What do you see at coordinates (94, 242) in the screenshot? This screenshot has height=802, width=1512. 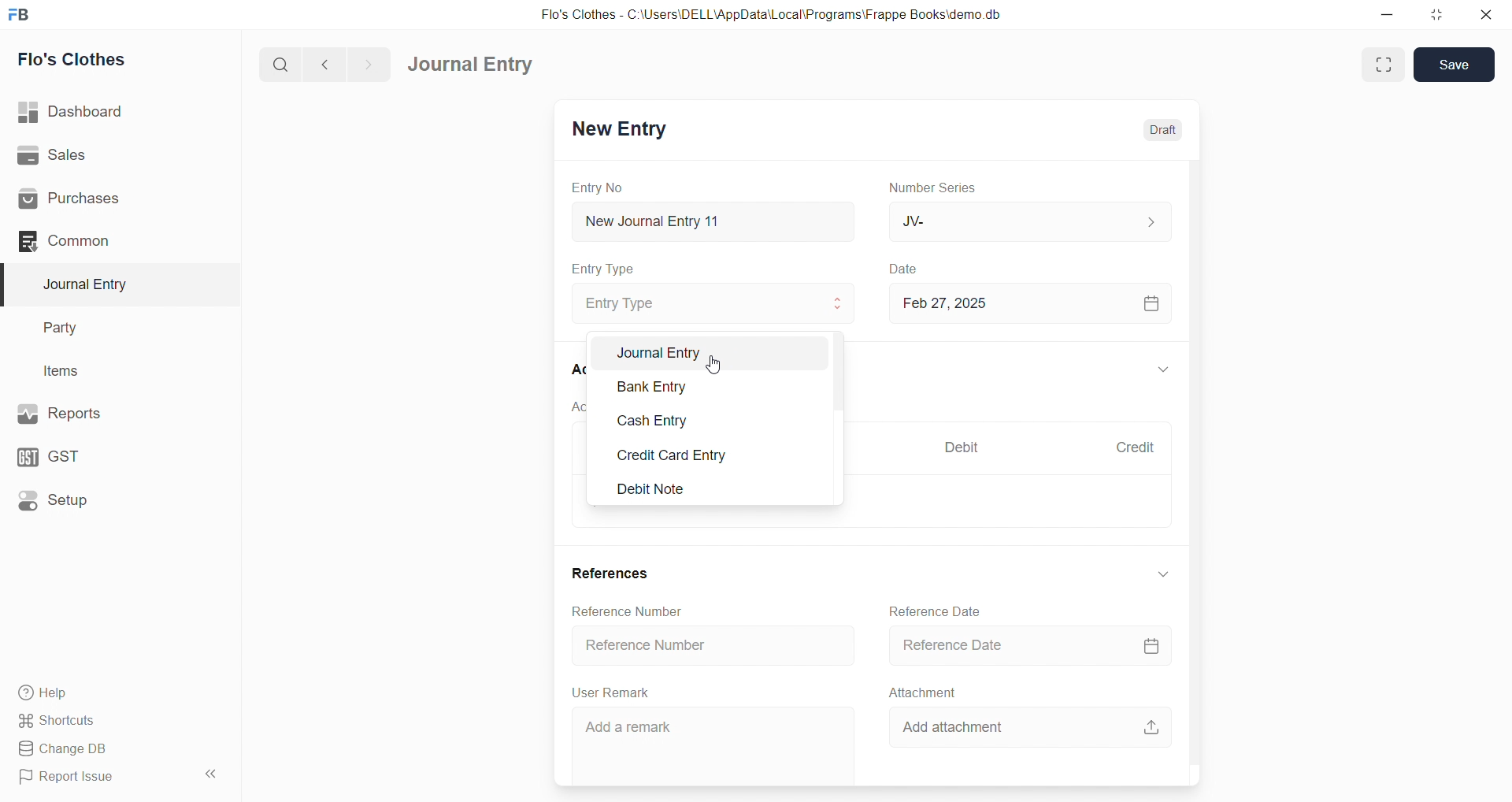 I see `Common` at bounding box center [94, 242].